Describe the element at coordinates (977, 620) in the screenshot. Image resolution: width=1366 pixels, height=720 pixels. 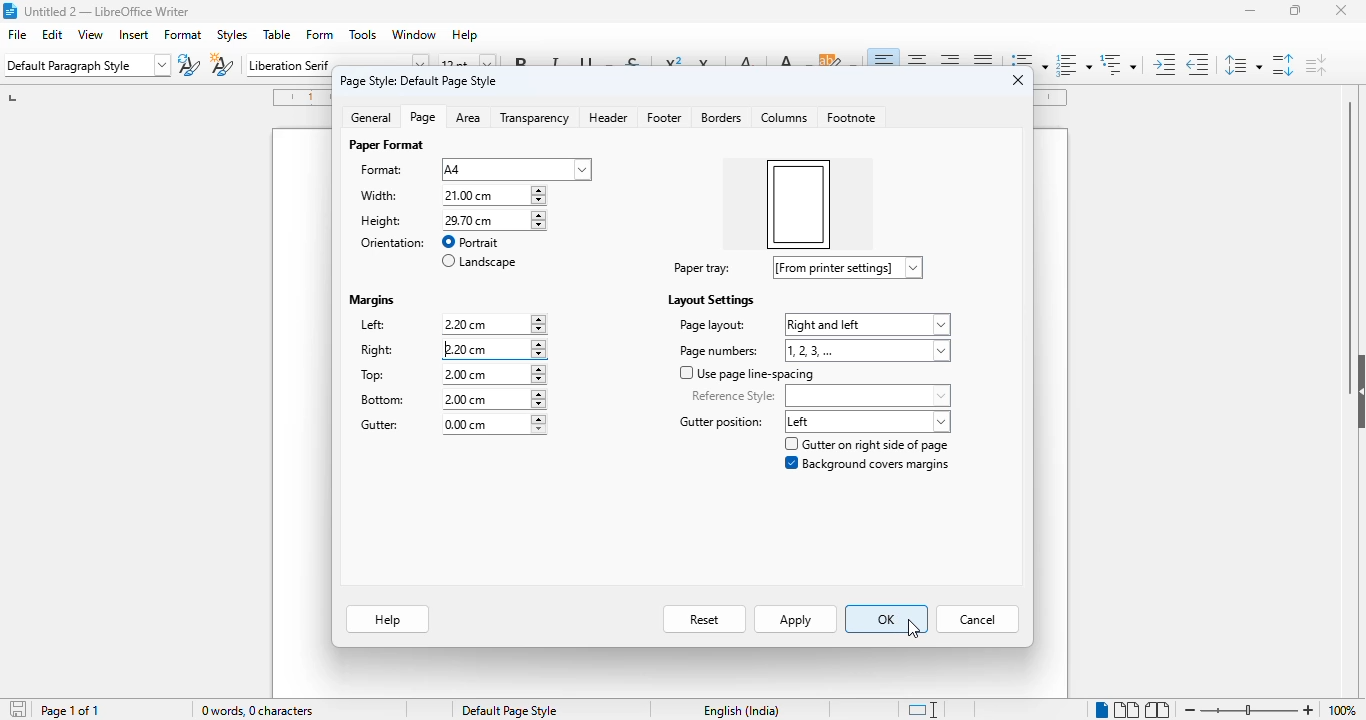
I see `cancel` at that location.